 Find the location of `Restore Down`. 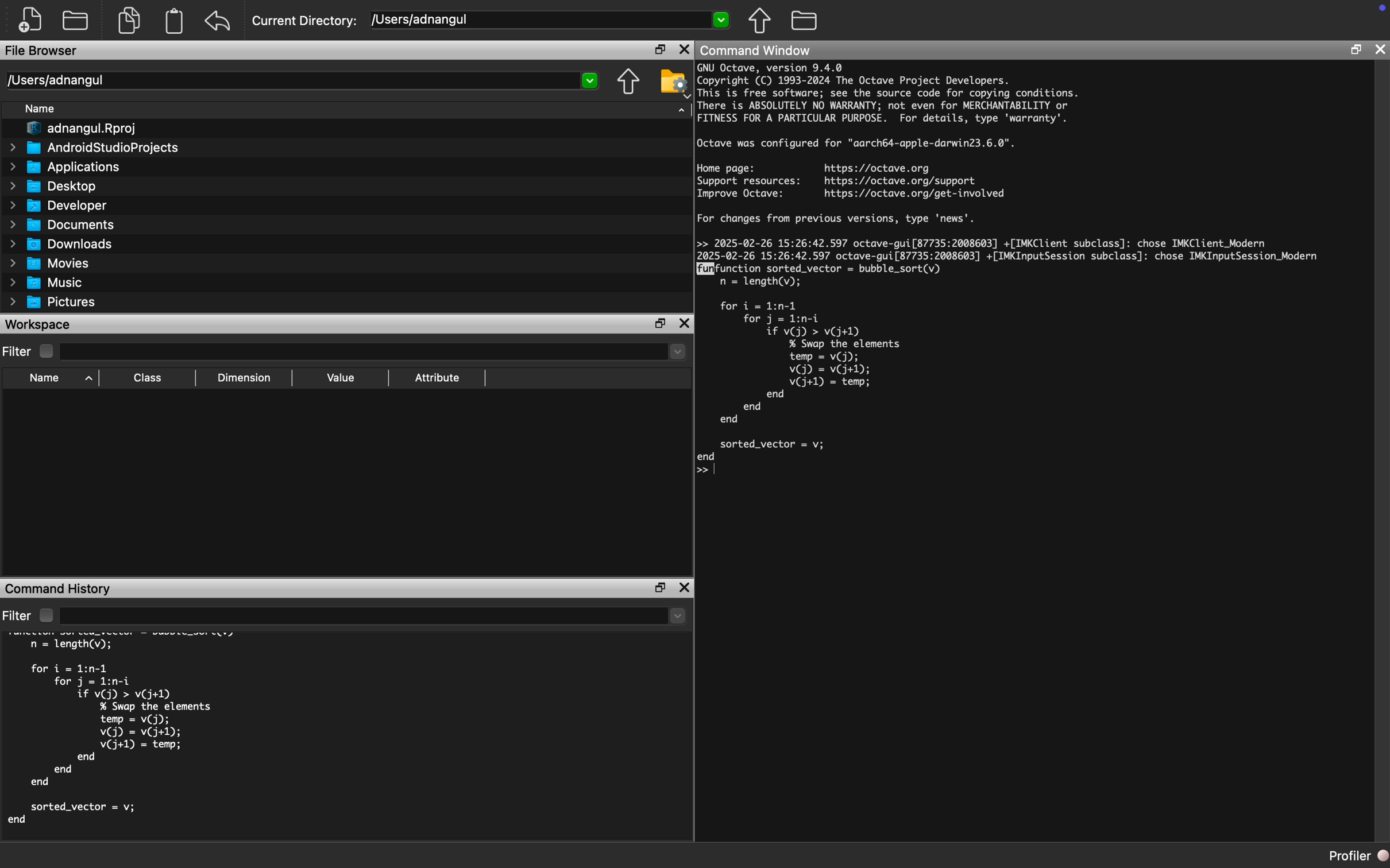

Restore Down is located at coordinates (660, 49).